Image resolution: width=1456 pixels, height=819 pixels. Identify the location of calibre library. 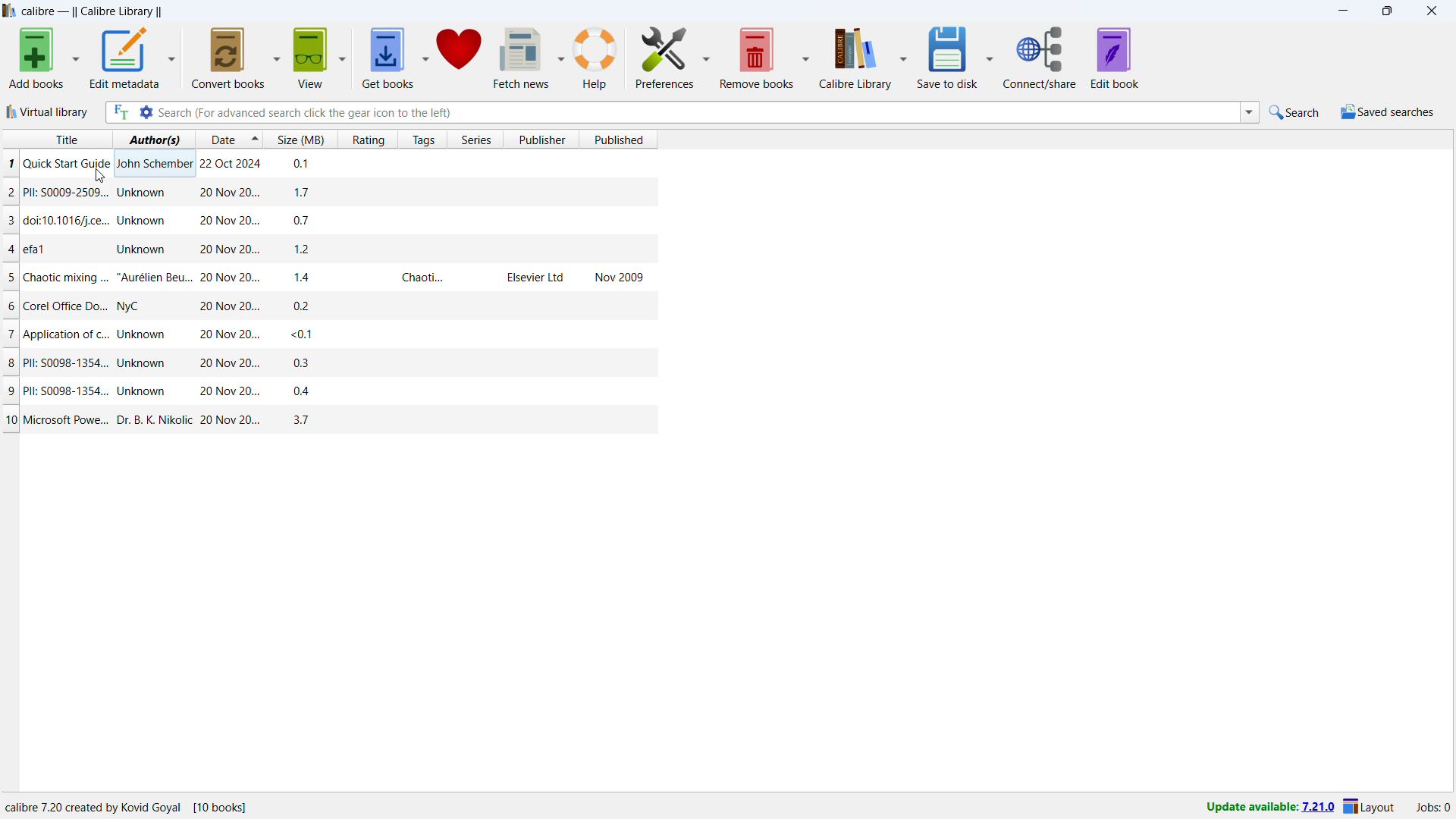
(855, 58).